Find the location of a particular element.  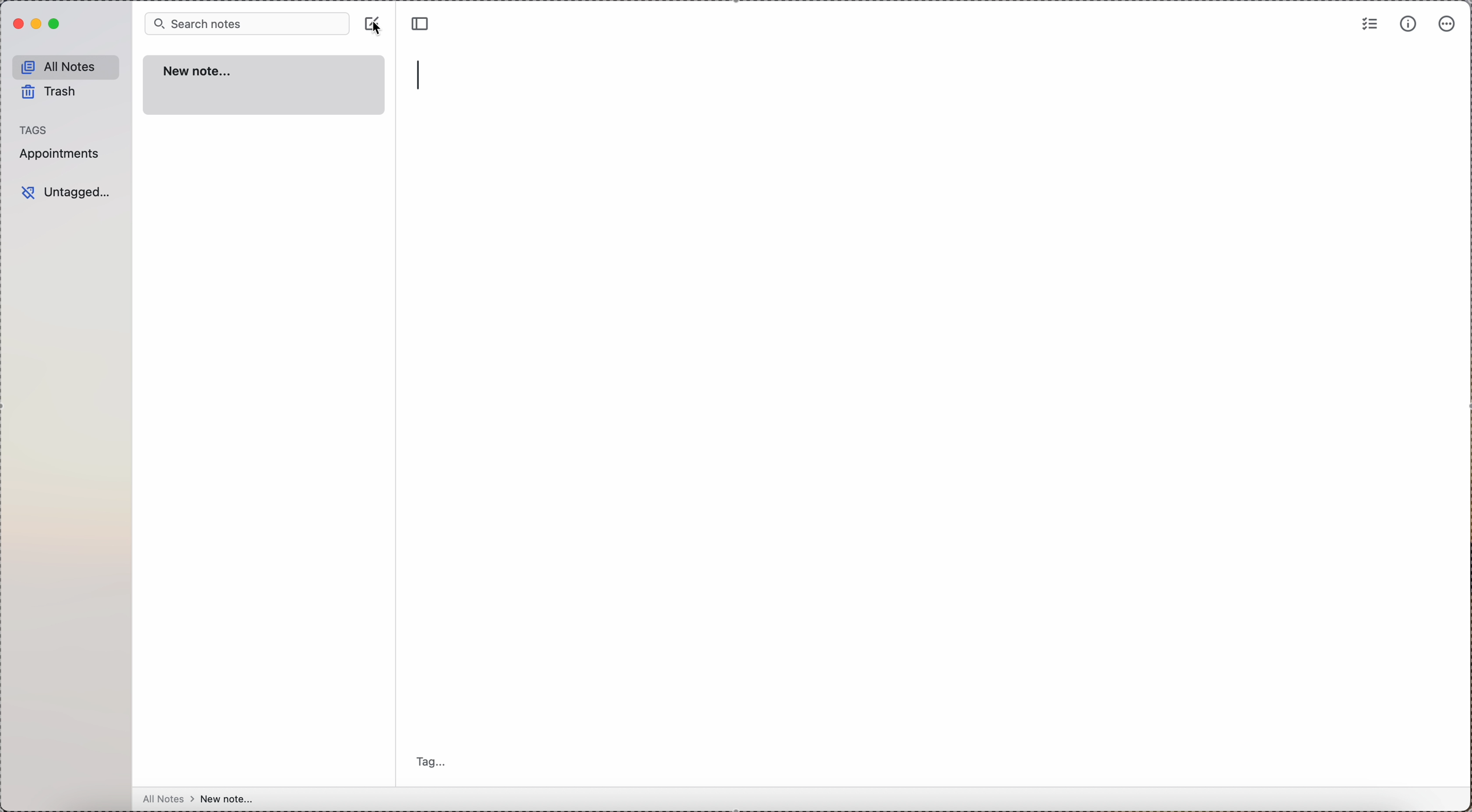

metrics is located at coordinates (1409, 23).